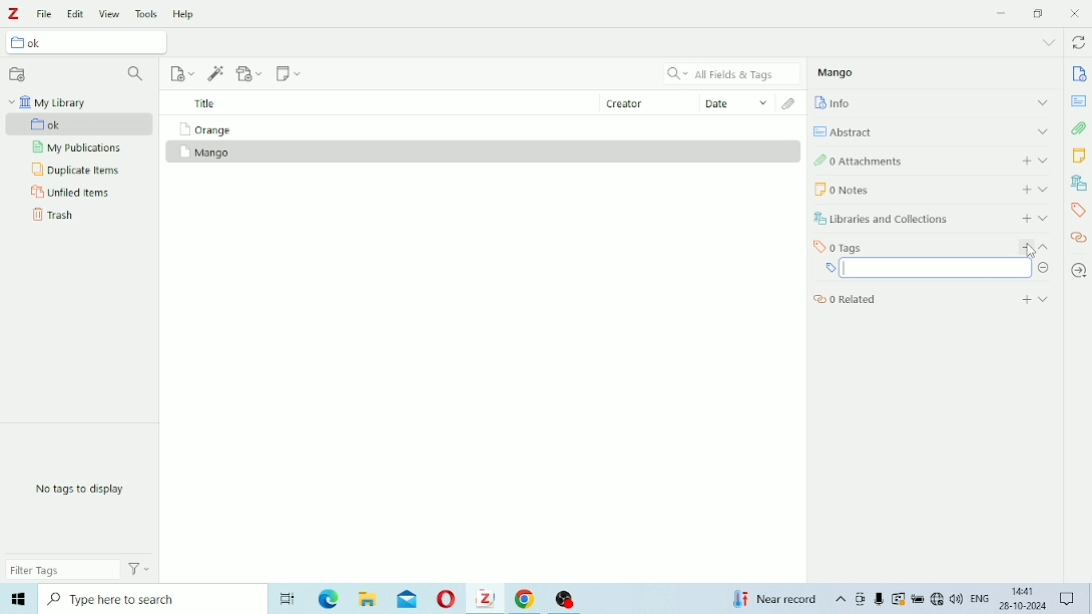 Image resolution: width=1092 pixels, height=614 pixels. Describe the element at coordinates (734, 74) in the screenshot. I see `All Fields & Tags` at that location.